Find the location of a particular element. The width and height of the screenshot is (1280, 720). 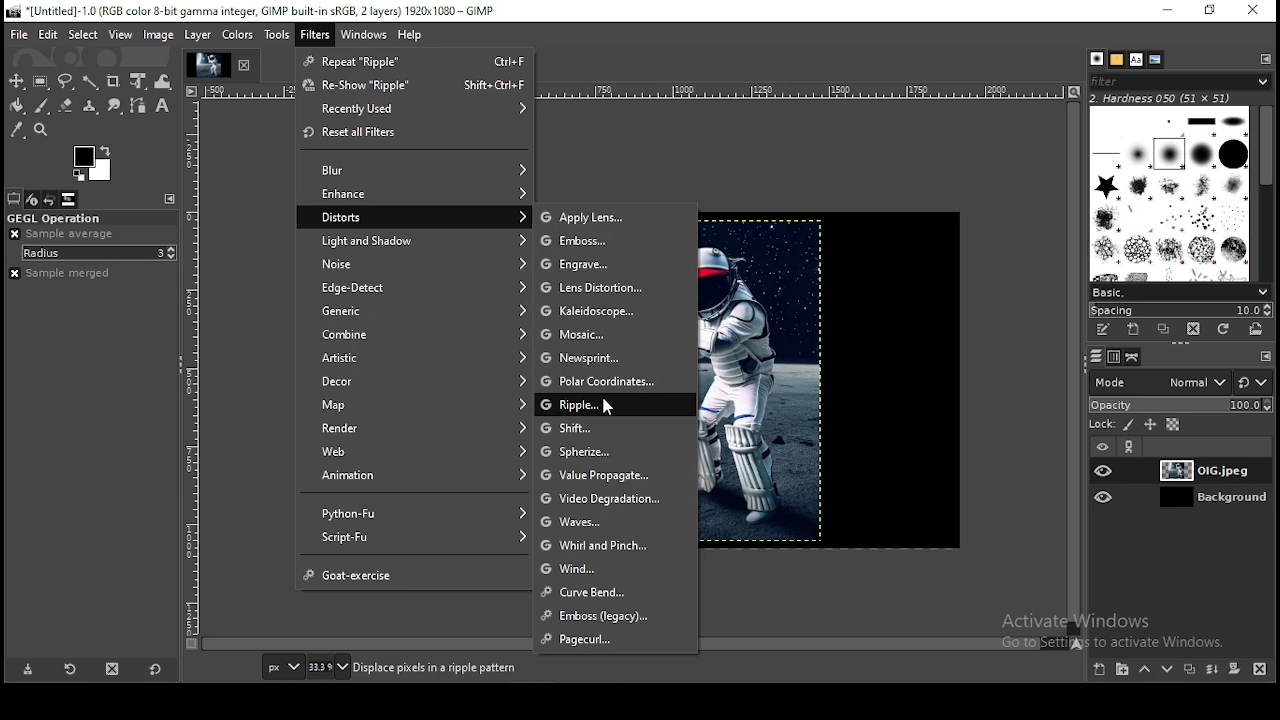

crop is located at coordinates (115, 81).